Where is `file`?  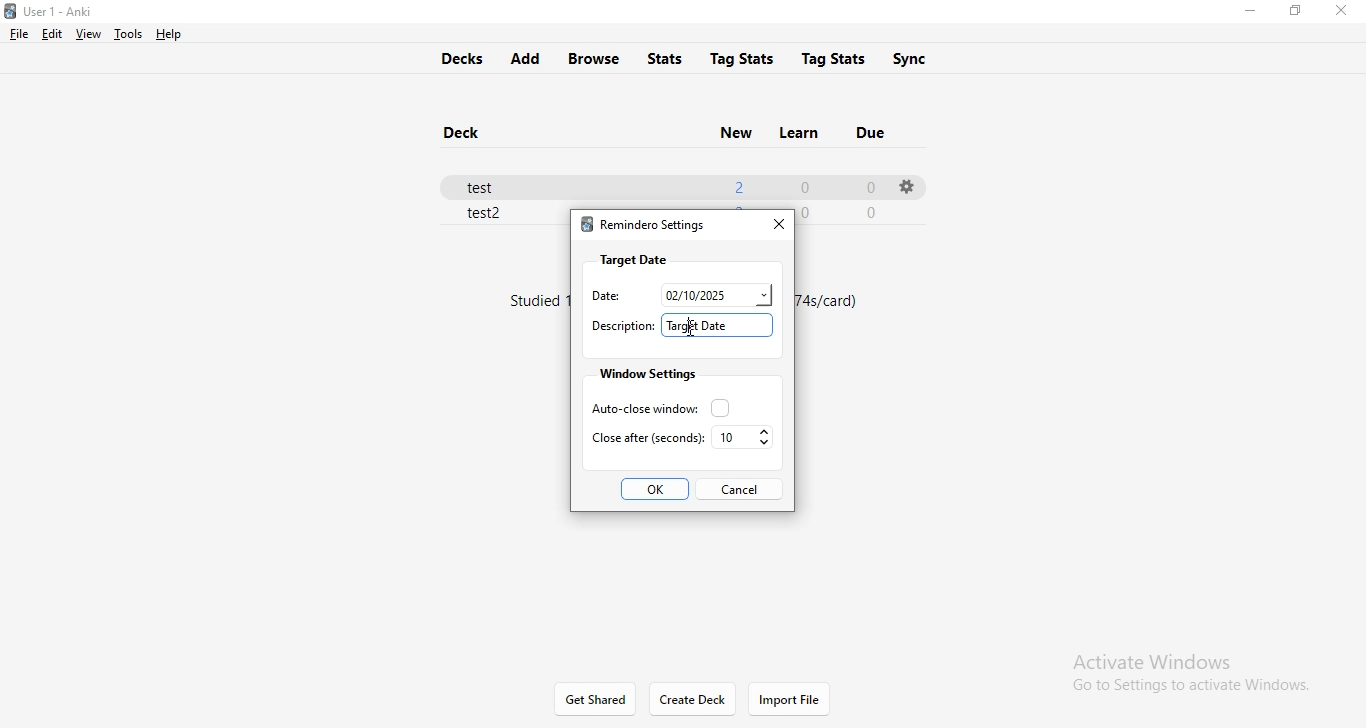
file is located at coordinates (19, 34).